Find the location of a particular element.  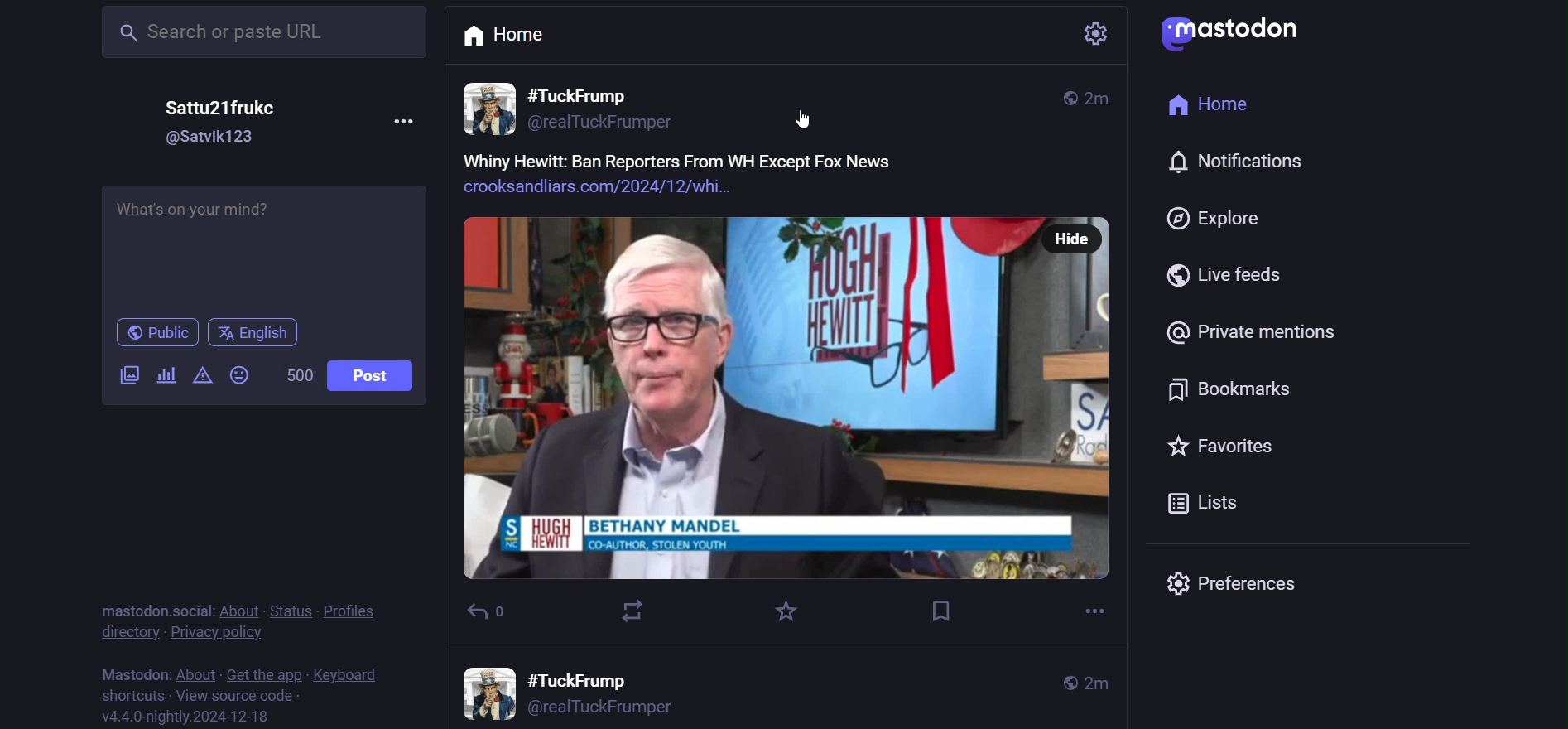

explore is located at coordinates (1216, 222).